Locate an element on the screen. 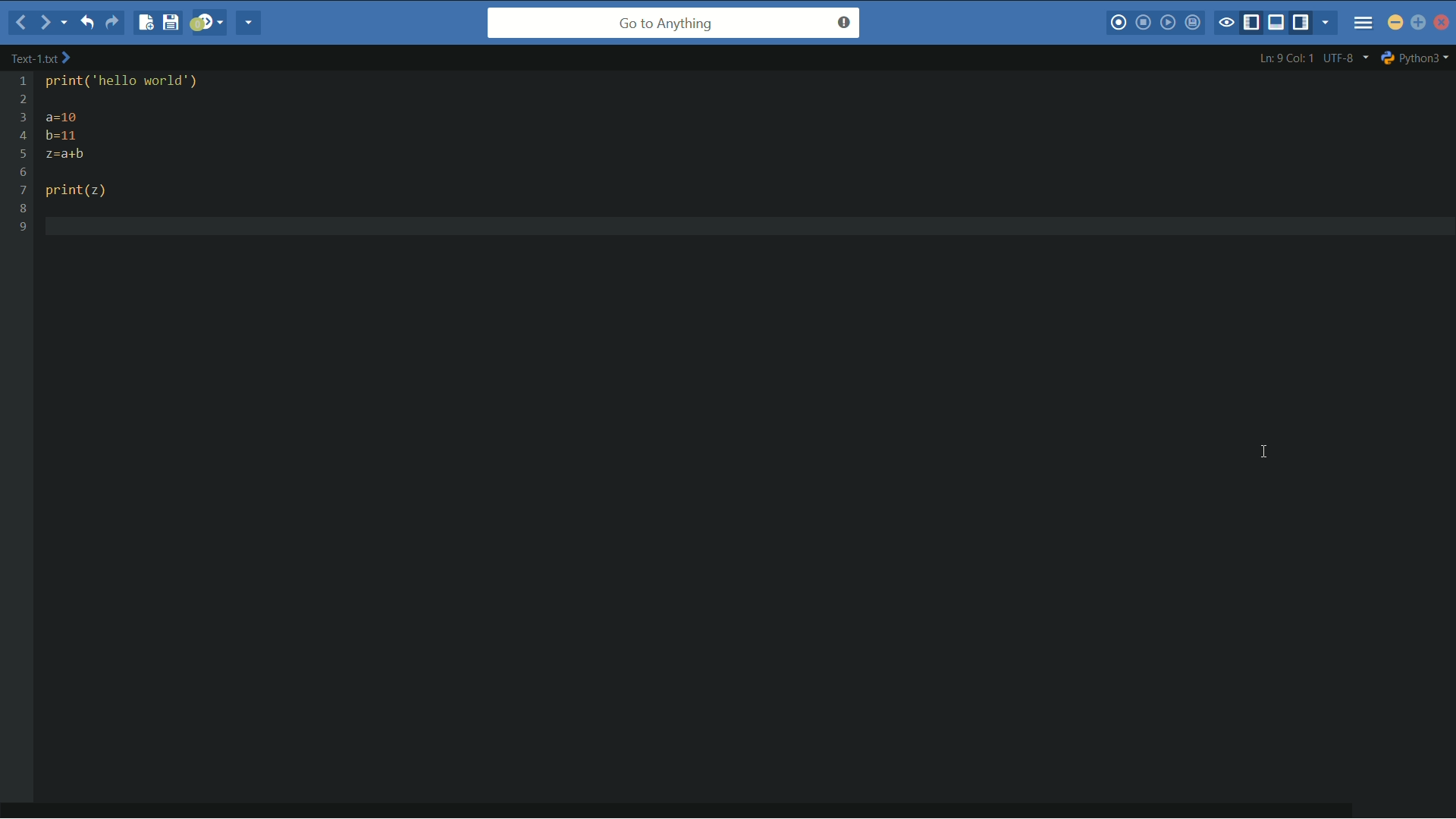 Image resolution: width=1456 pixels, height=819 pixels. show specific tab/bar is located at coordinates (1327, 24).